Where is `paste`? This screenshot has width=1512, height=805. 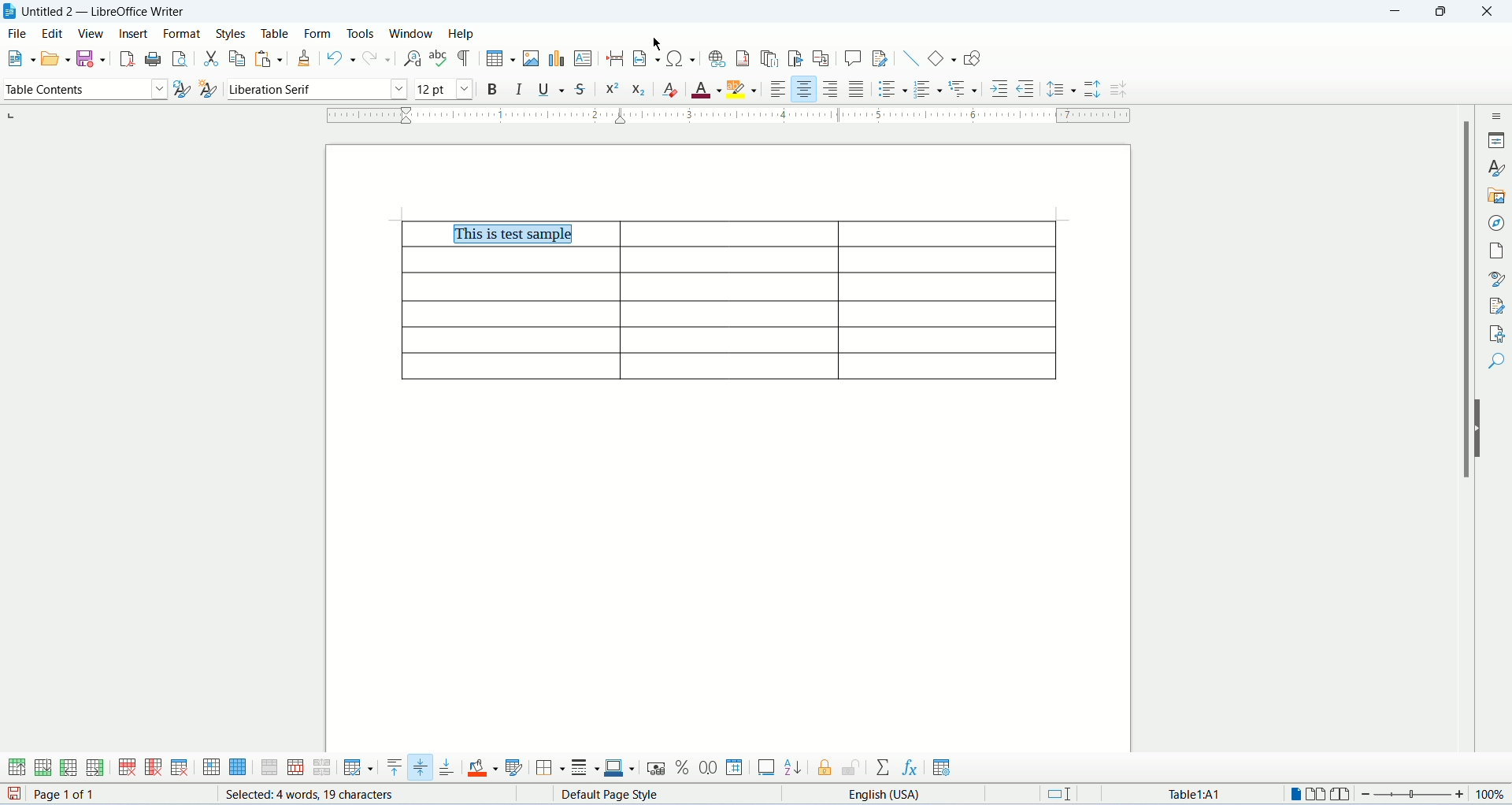
paste is located at coordinates (265, 60).